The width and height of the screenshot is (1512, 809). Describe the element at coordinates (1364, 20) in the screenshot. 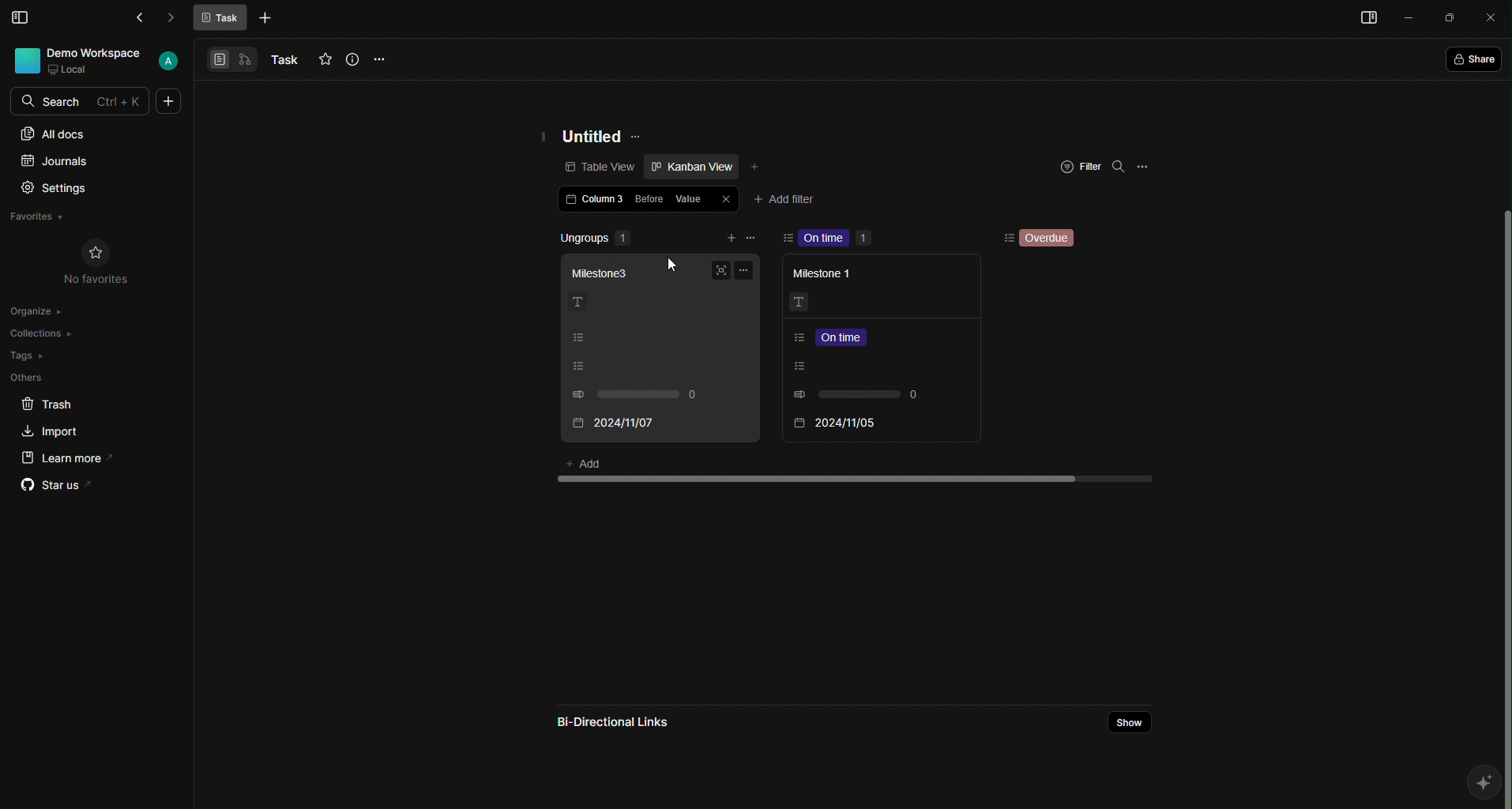

I see `Menu bar` at that location.